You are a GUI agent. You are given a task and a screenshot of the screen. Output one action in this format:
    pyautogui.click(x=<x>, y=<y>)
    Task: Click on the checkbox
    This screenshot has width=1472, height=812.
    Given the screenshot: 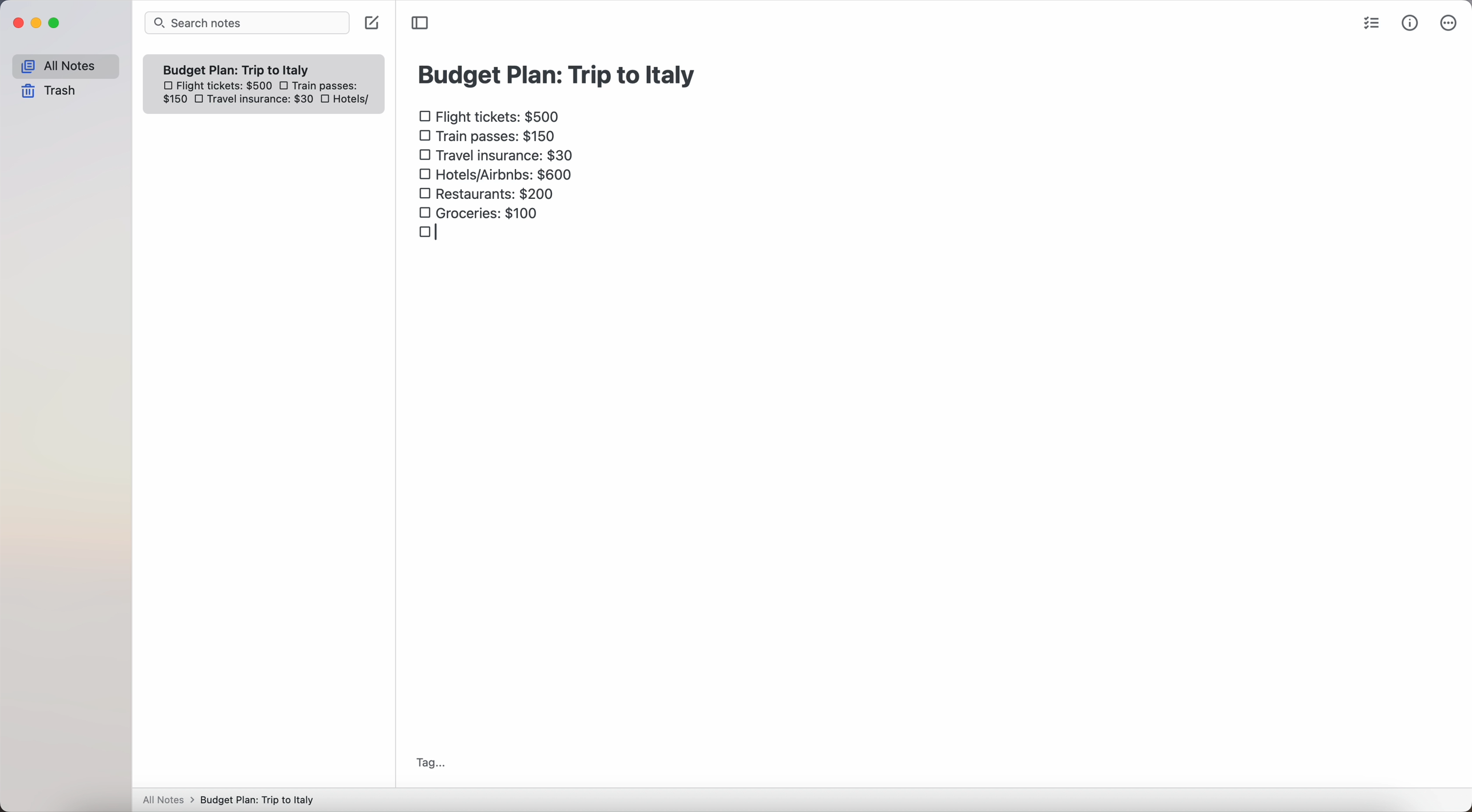 What is the action you would take?
    pyautogui.click(x=329, y=100)
    